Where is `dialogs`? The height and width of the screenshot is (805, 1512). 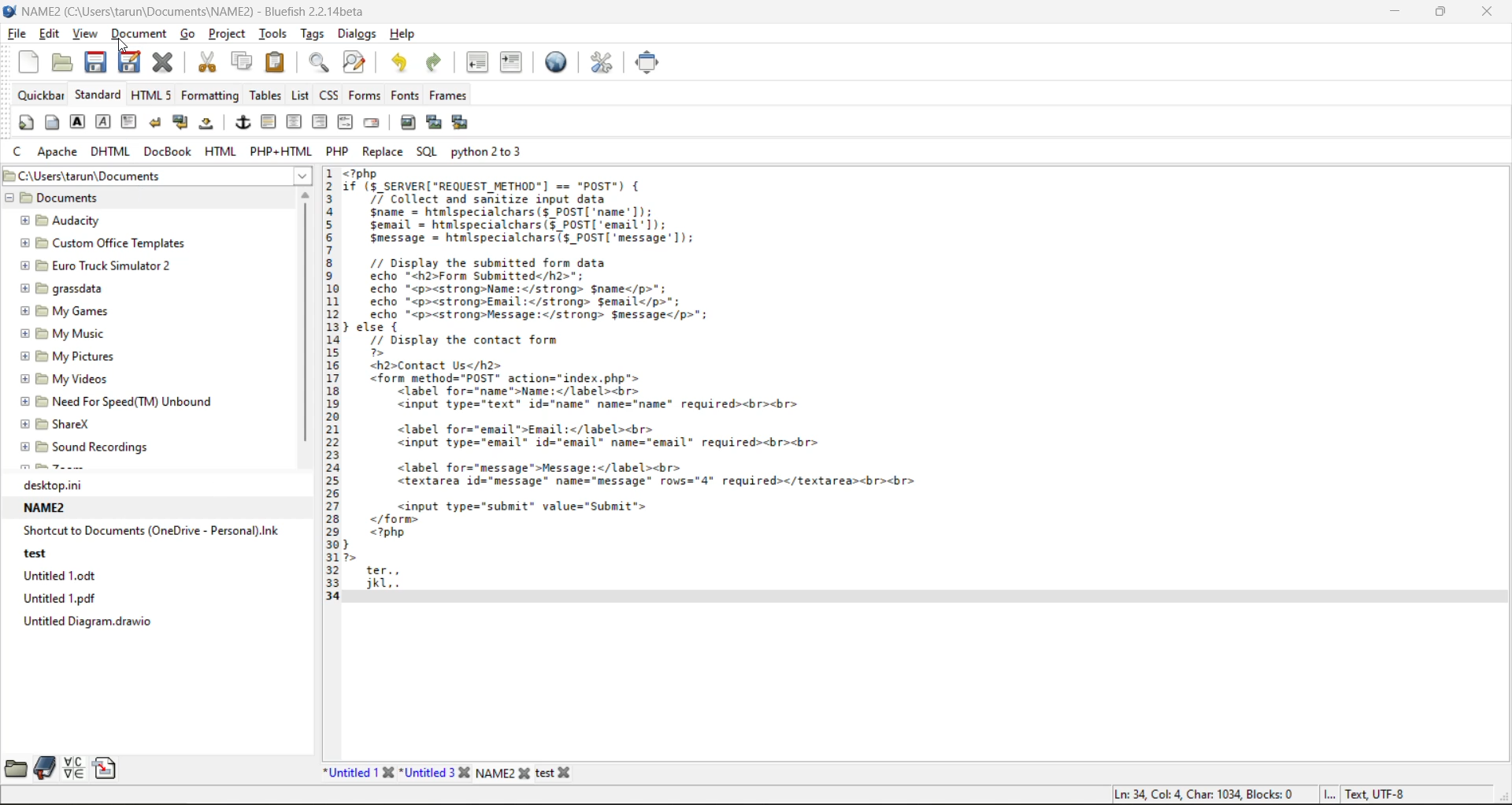 dialogs is located at coordinates (359, 35).